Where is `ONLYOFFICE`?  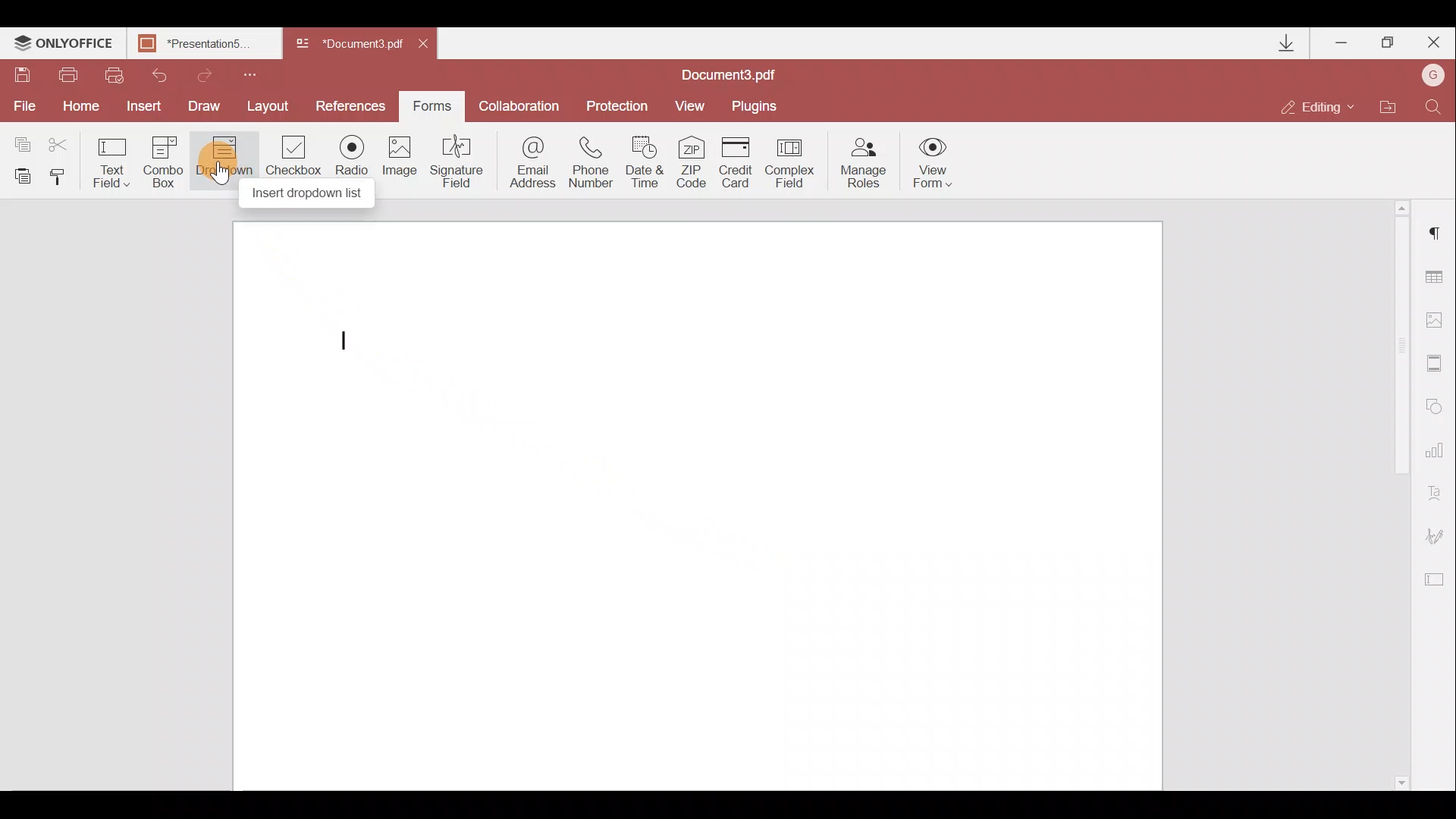
ONLYOFFICE is located at coordinates (64, 45).